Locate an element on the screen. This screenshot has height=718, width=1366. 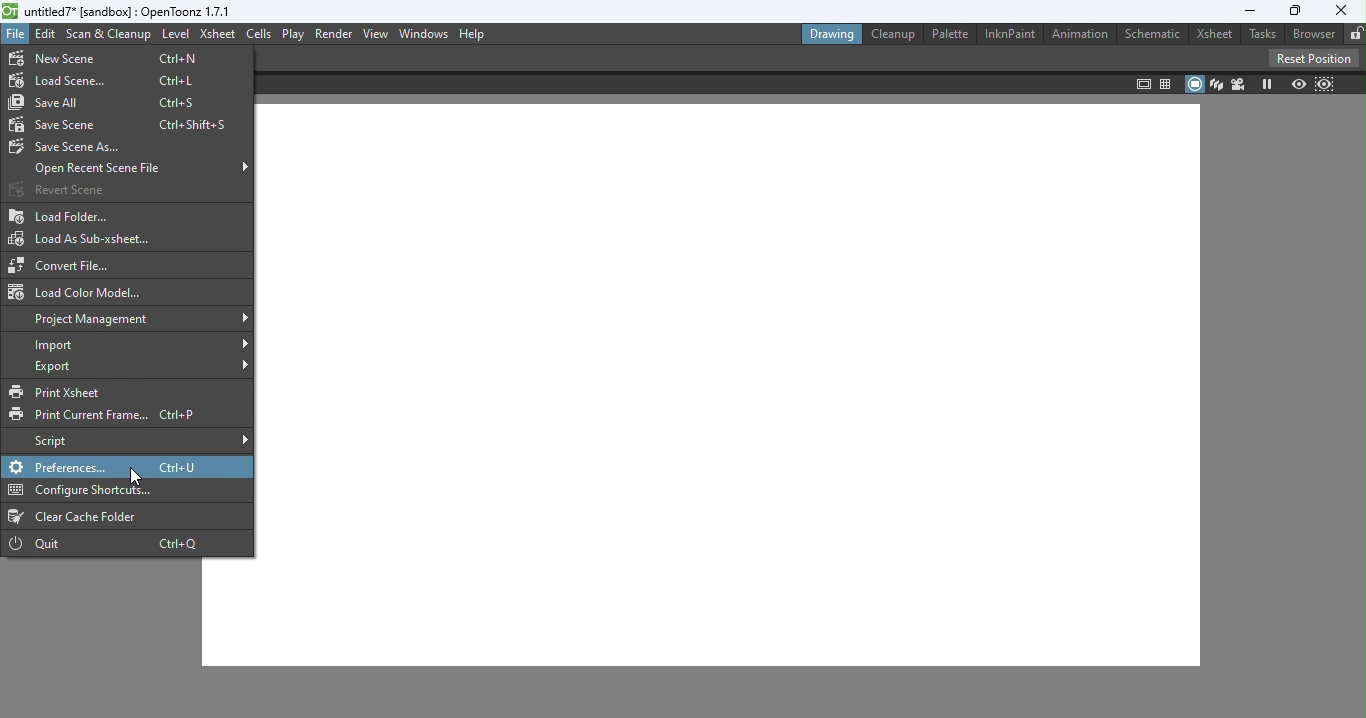
Drawing is located at coordinates (832, 34).